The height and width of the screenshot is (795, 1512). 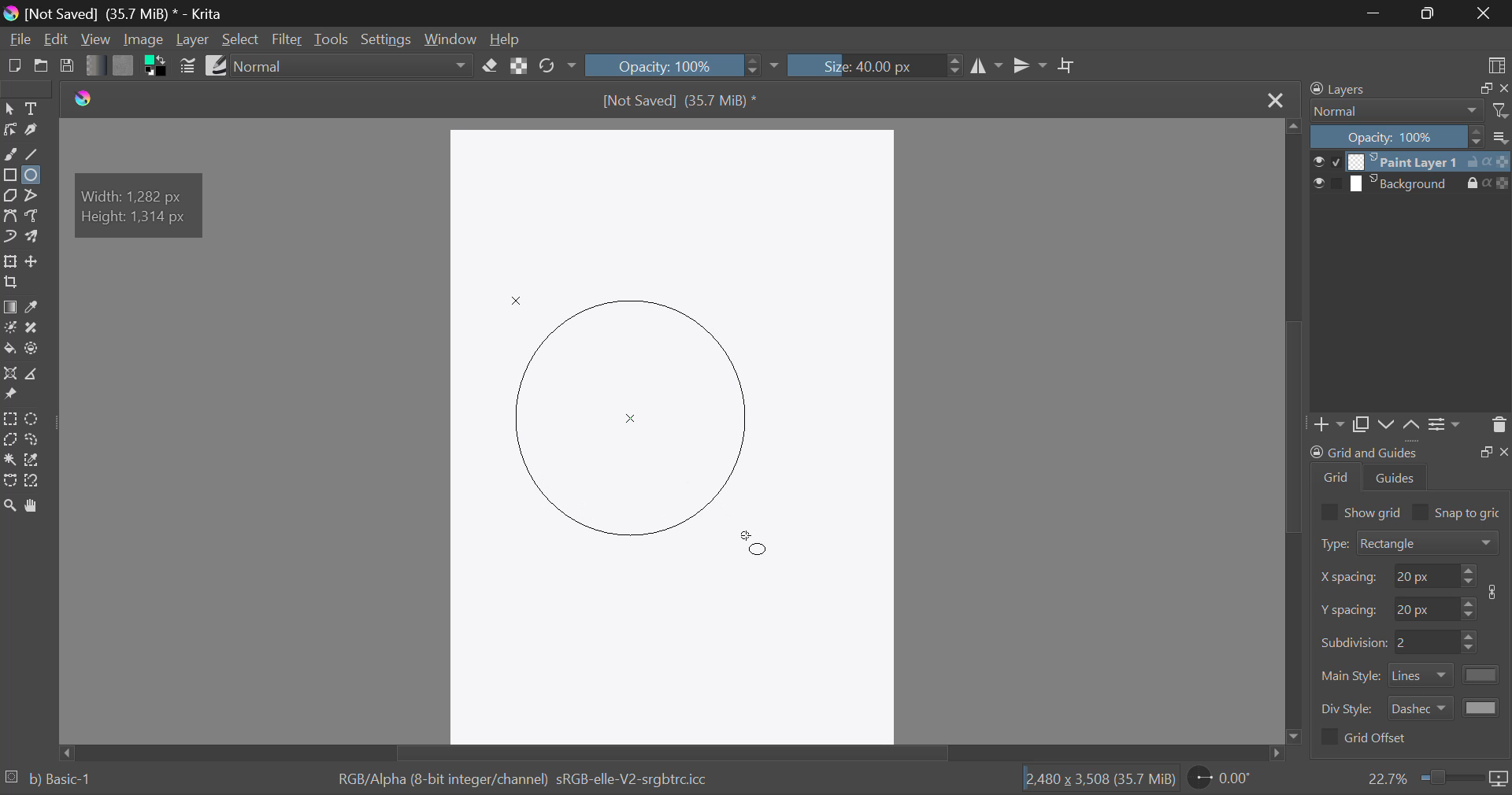 I want to click on Polyline, so click(x=33, y=194).